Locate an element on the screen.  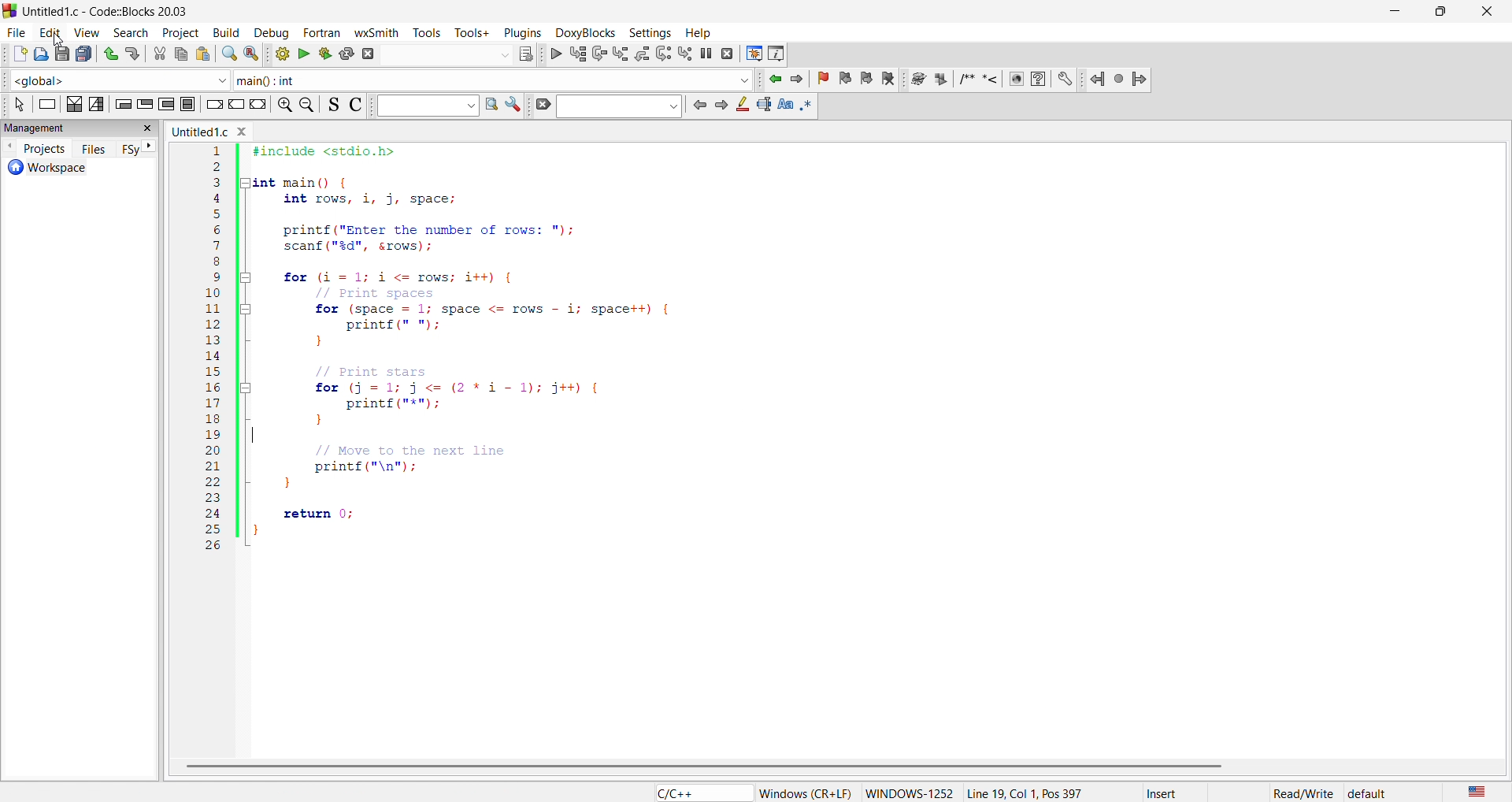
next  is located at coordinates (720, 106).